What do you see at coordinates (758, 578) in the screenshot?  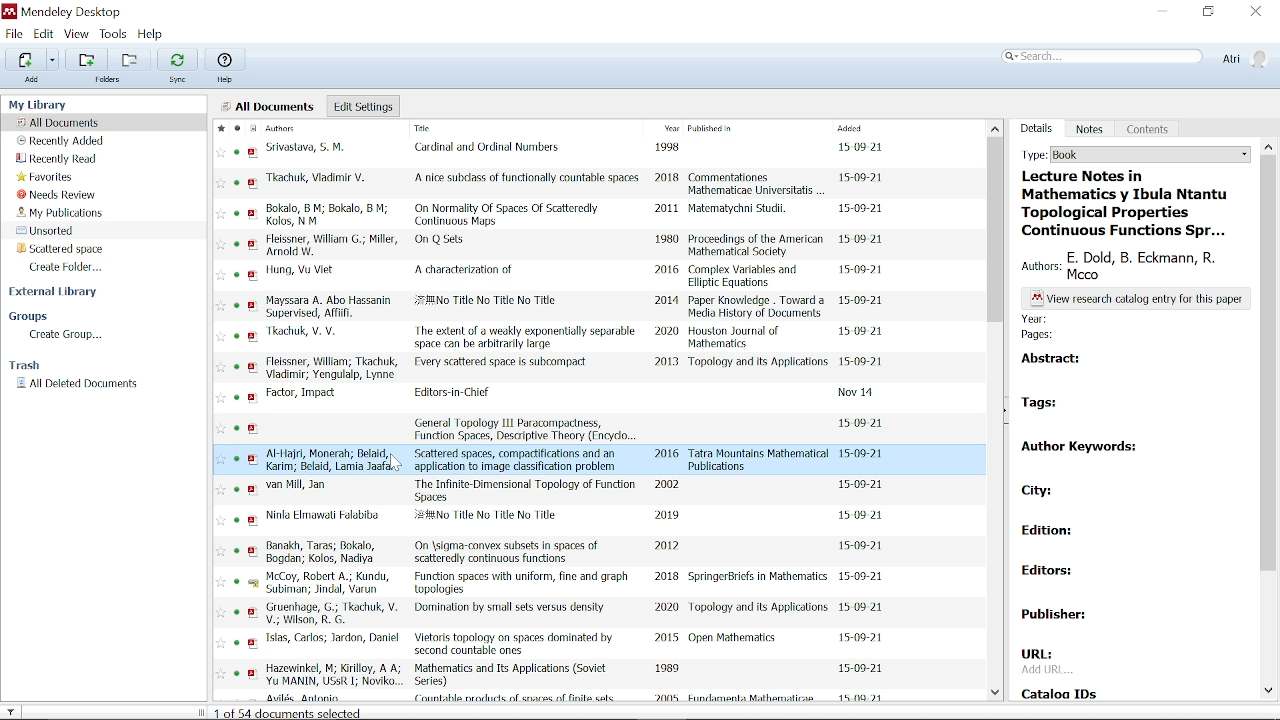 I see `SpringerBricfs in Mathematics` at bounding box center [758, 578].